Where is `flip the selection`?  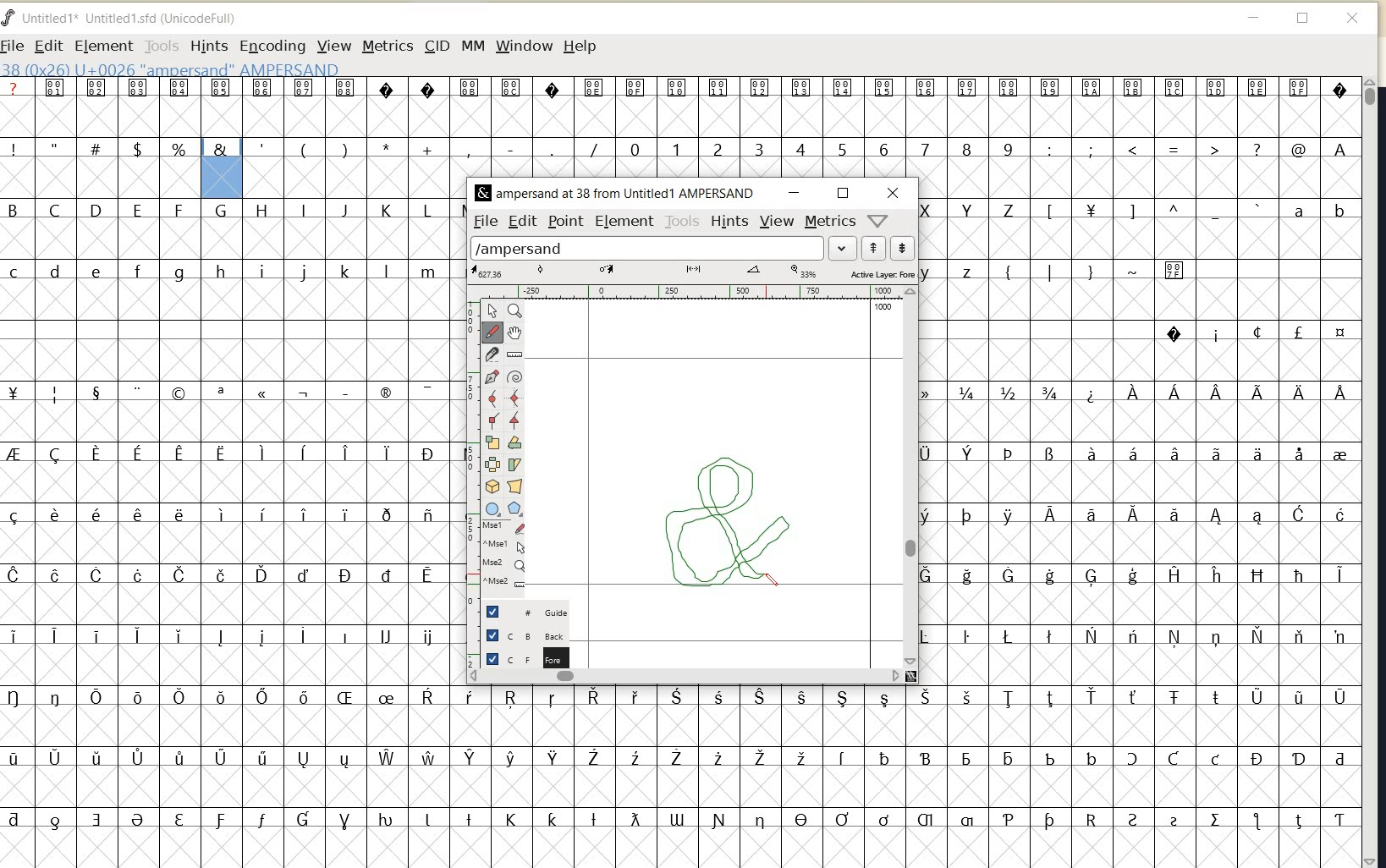
flip the selection is located at coordinates (492, 464).